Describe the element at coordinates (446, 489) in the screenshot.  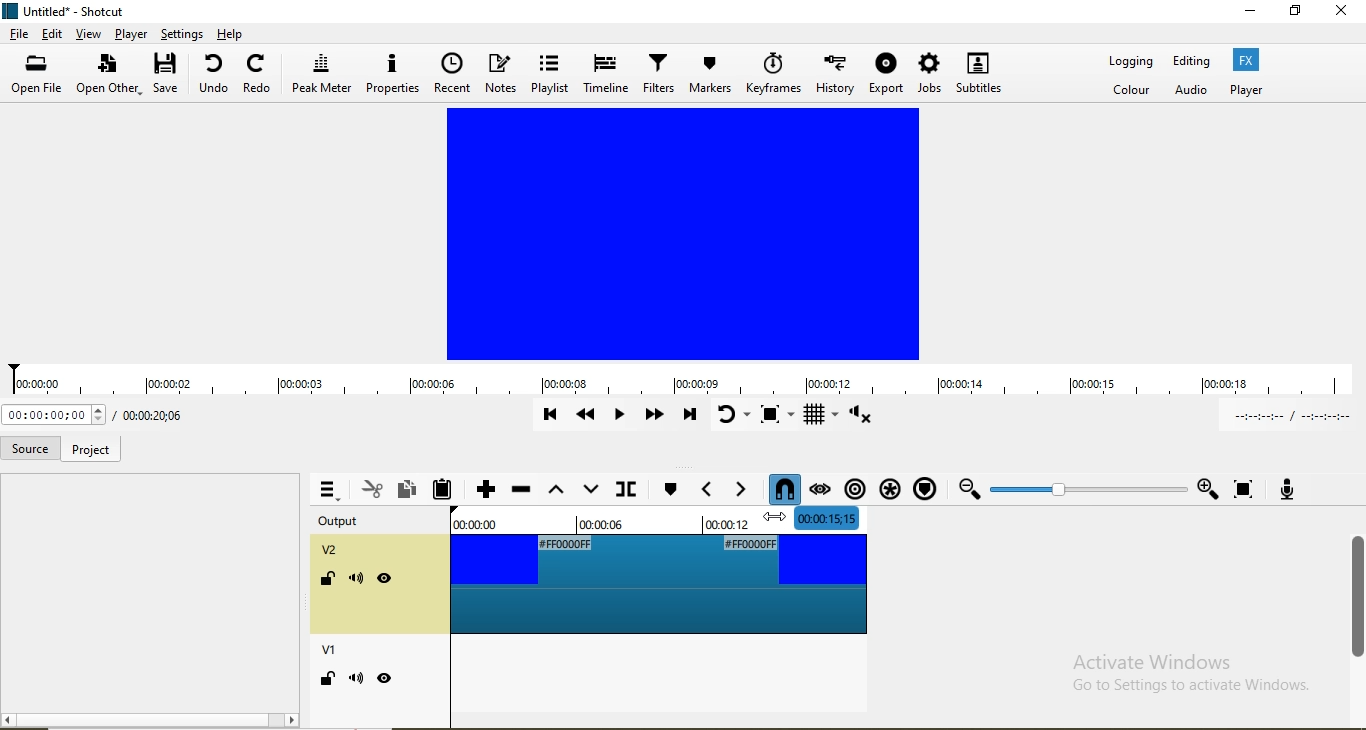
I see `Paste ` at that location.